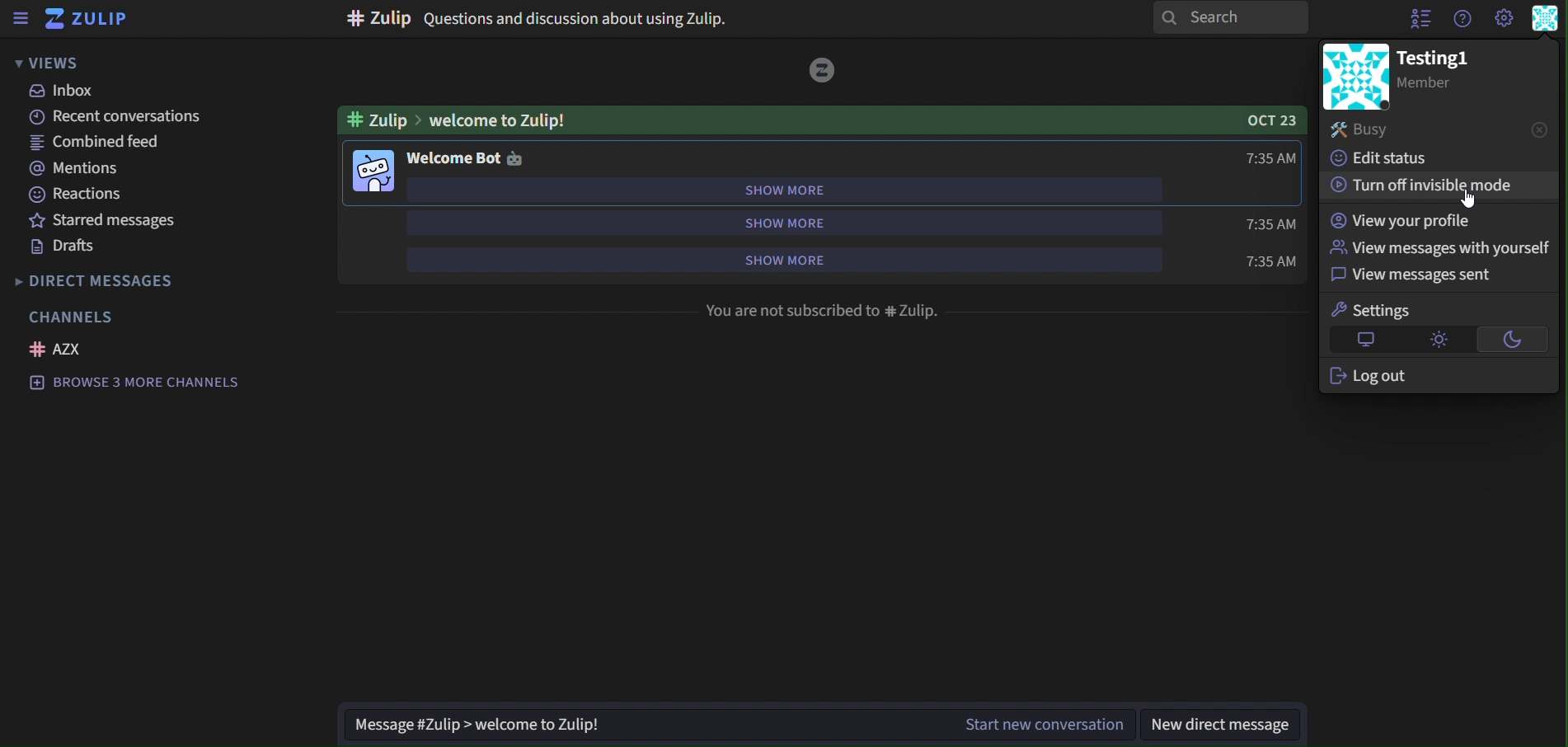 Image resolution: width=1568 pixels, height=747 pixels. Describe the element at coordinates (1511, 339) in the screenshot. I see `dark theme` at that location.